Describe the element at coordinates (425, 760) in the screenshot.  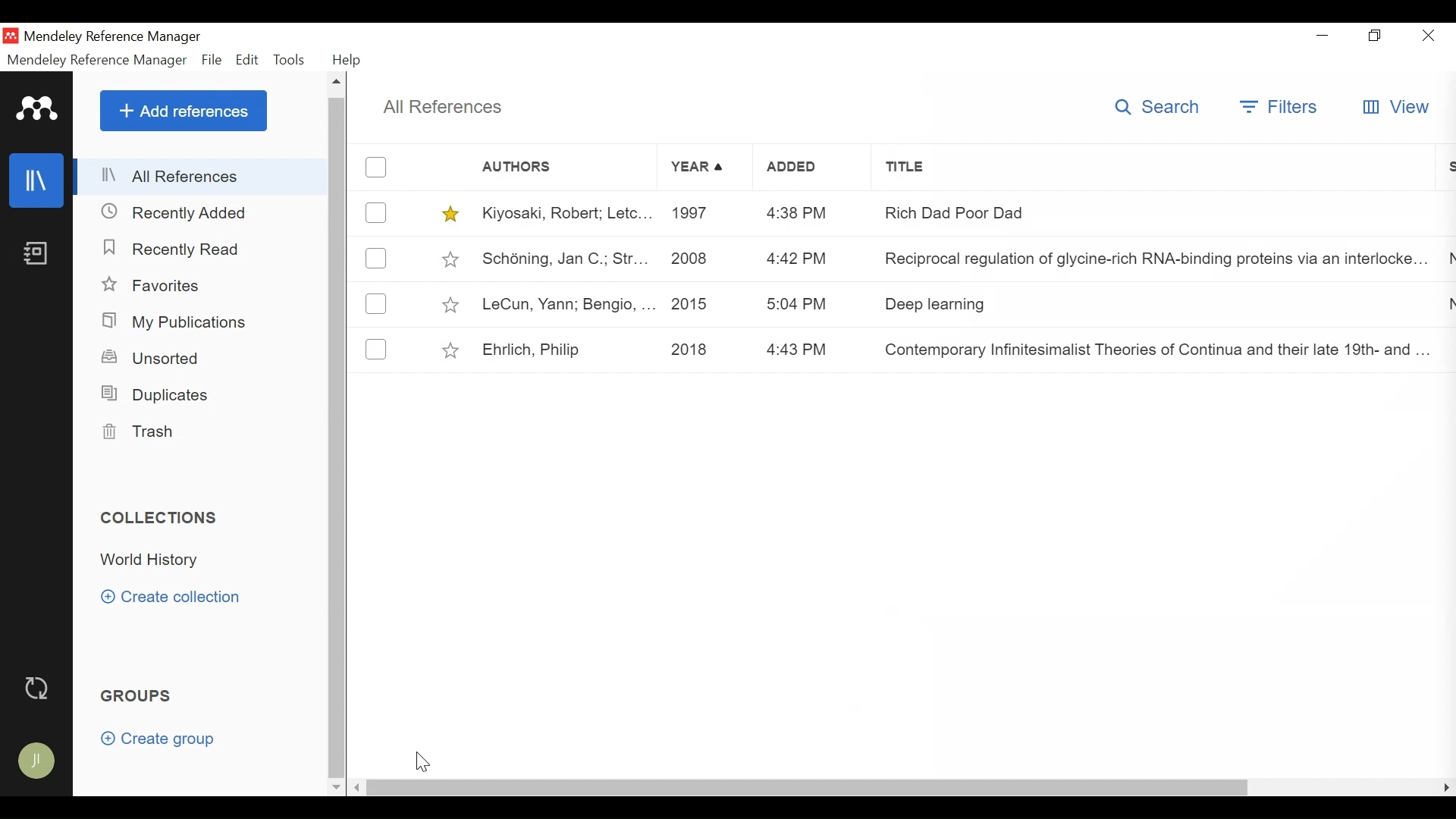
I see `Cursor` at that location.